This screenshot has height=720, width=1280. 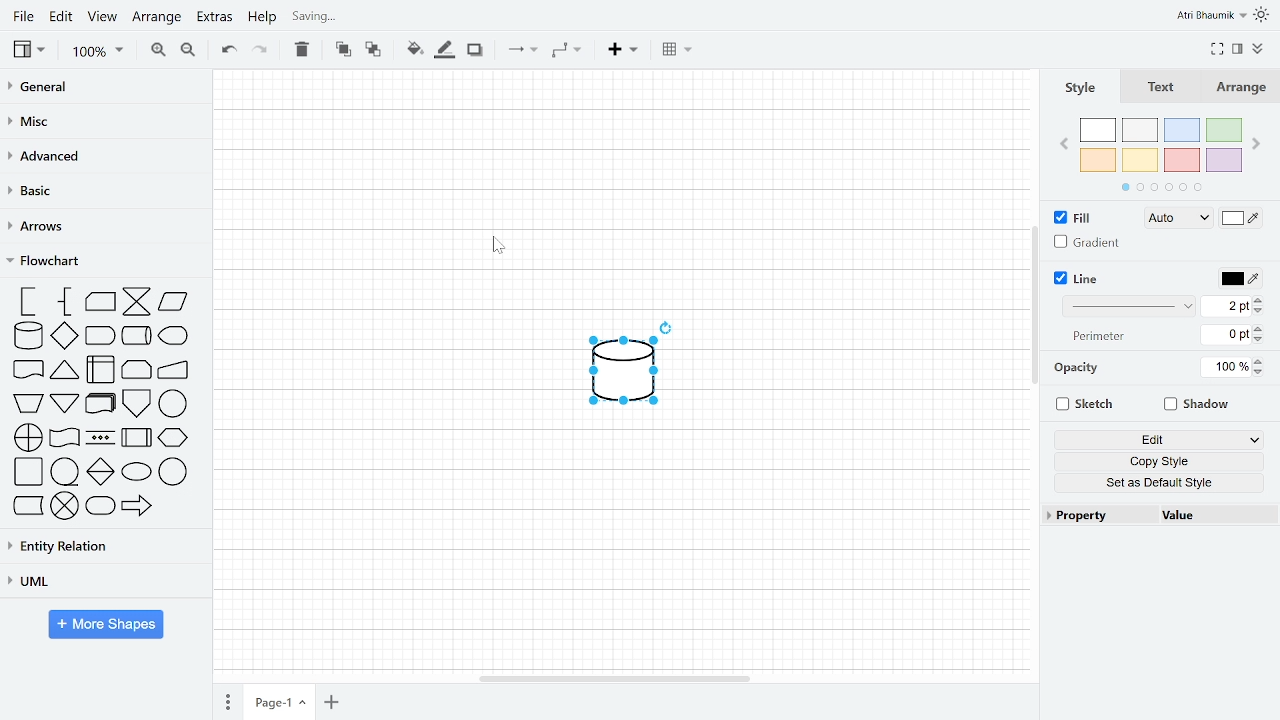 What do you see at coordinates (100, 370) in the screenshot?
I see `internal storage` at bounding box center [100, 370].